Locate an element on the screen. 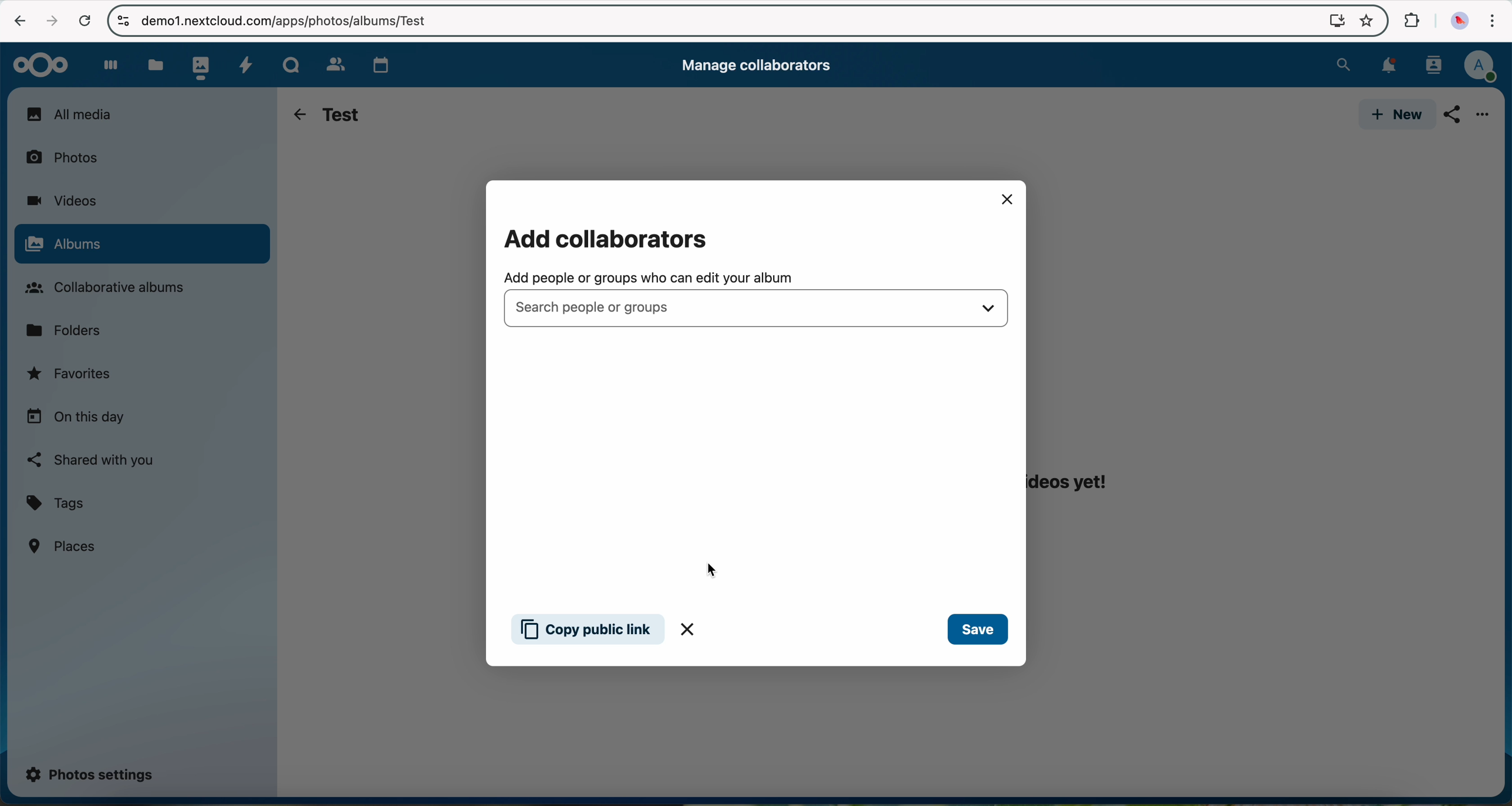 The image size is (1512, 806). videos is located at coordinates (61, 201).